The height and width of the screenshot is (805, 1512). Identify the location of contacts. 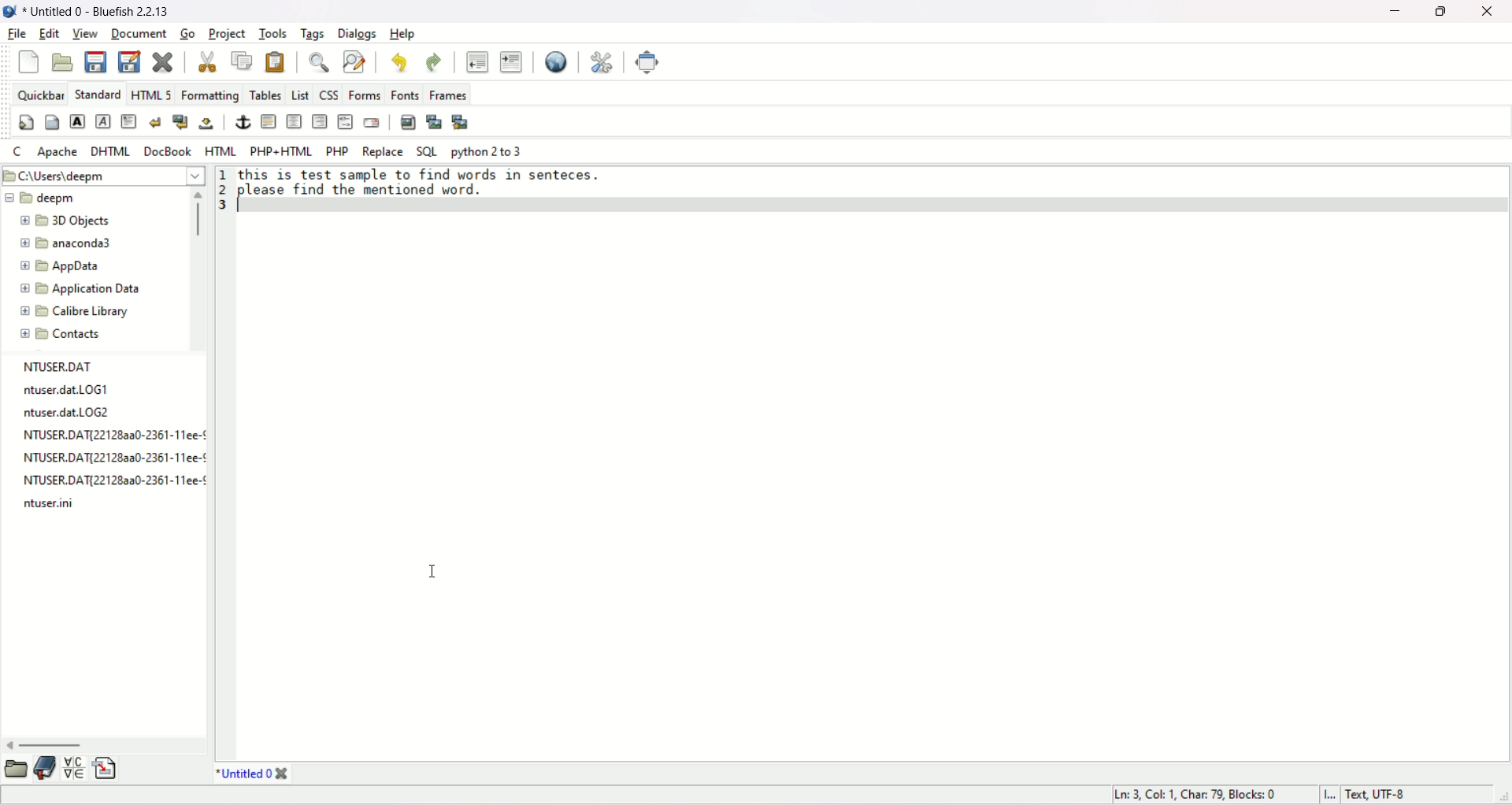
(65, 334).